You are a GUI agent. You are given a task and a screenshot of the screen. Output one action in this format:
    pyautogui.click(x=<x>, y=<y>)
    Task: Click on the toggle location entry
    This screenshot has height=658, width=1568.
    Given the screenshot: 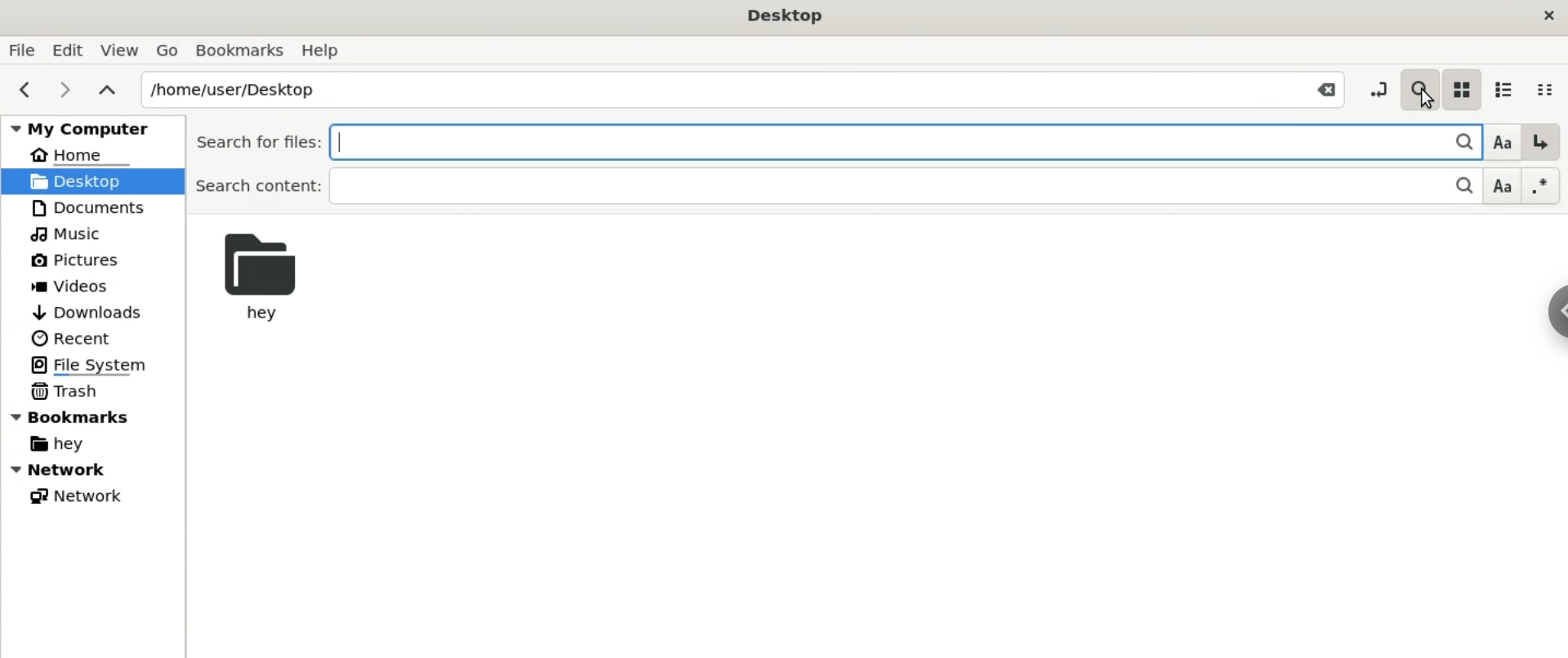 What is the action you would take?
    pyautogui.click(x=1377, y=85)
    